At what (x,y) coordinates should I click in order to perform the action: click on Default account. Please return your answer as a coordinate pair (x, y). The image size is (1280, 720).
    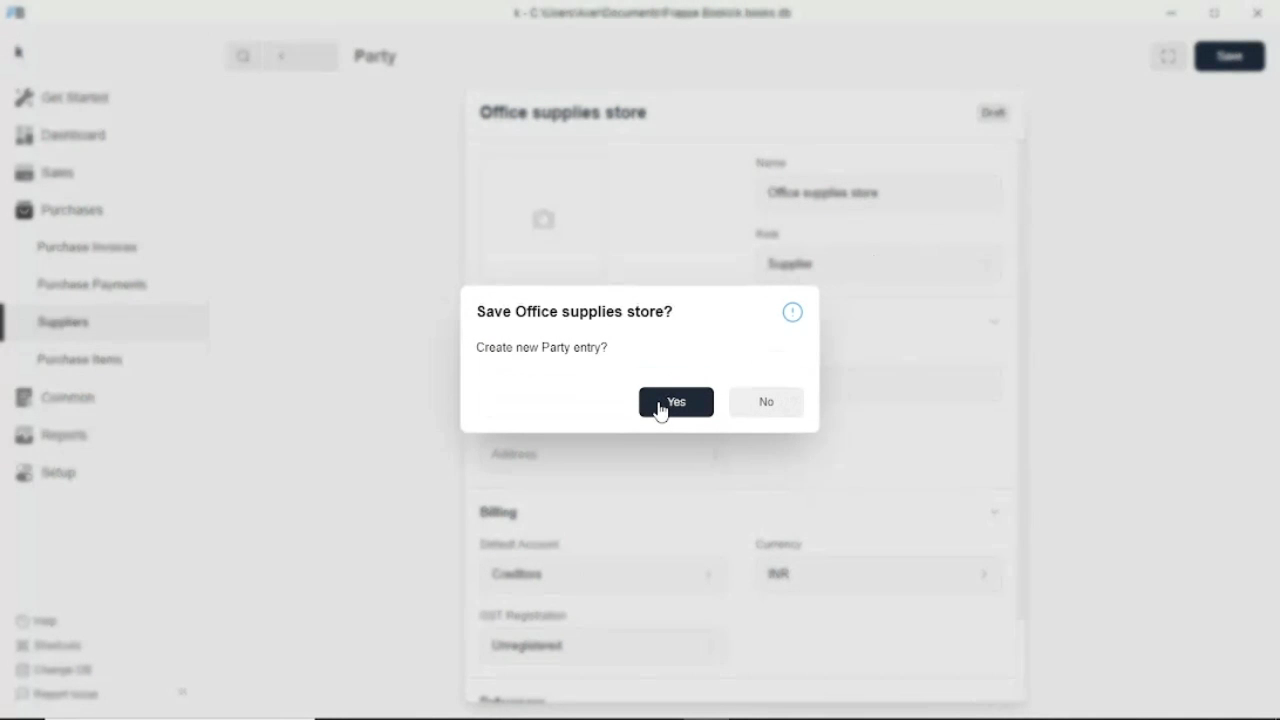
    Looking at the image, I should click on (522, 545).